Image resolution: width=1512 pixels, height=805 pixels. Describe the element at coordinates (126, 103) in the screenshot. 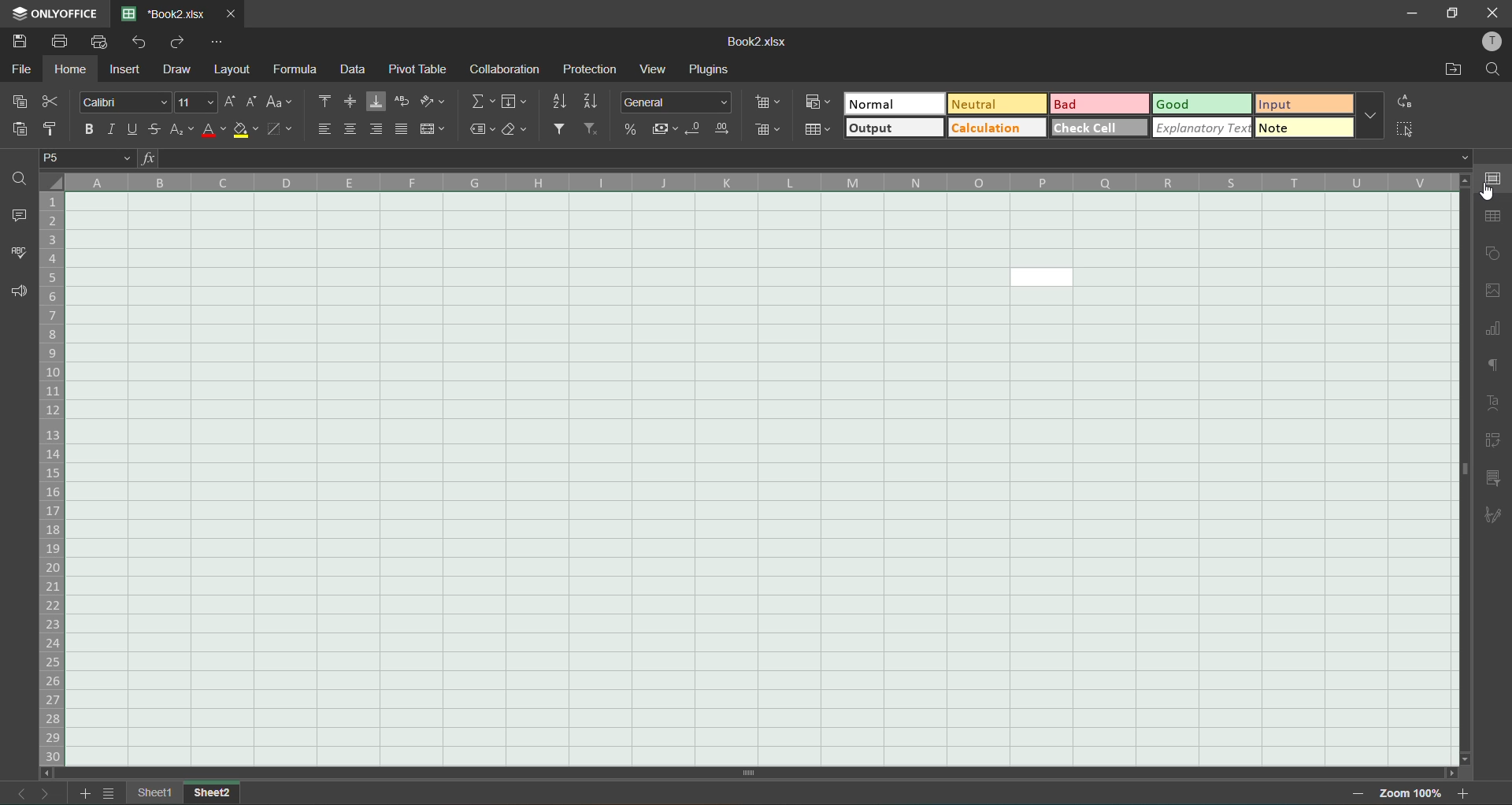

I see `font style` at that location.